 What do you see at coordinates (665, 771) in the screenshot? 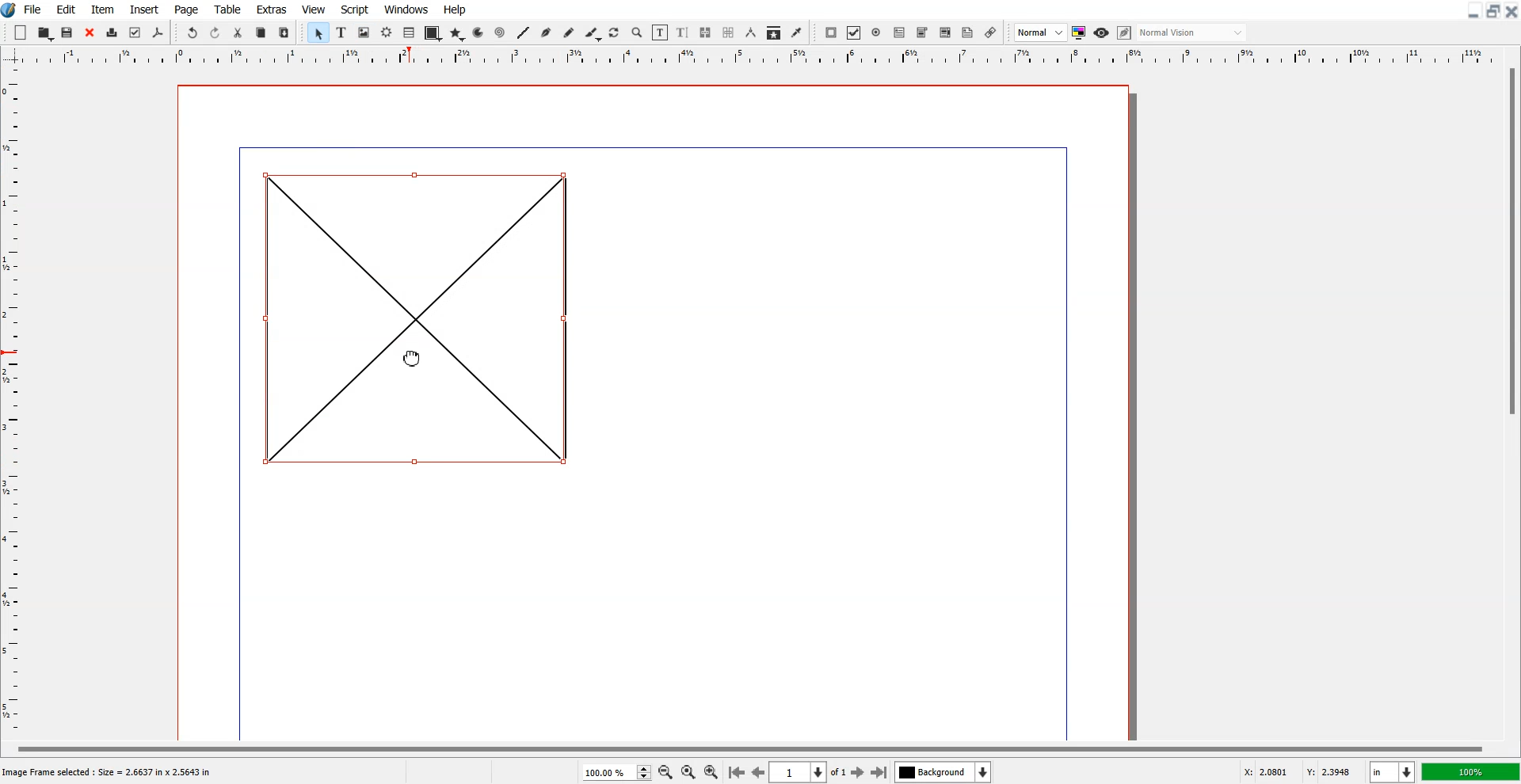
I see `Zoom Out` at bounding box center [665, 771].